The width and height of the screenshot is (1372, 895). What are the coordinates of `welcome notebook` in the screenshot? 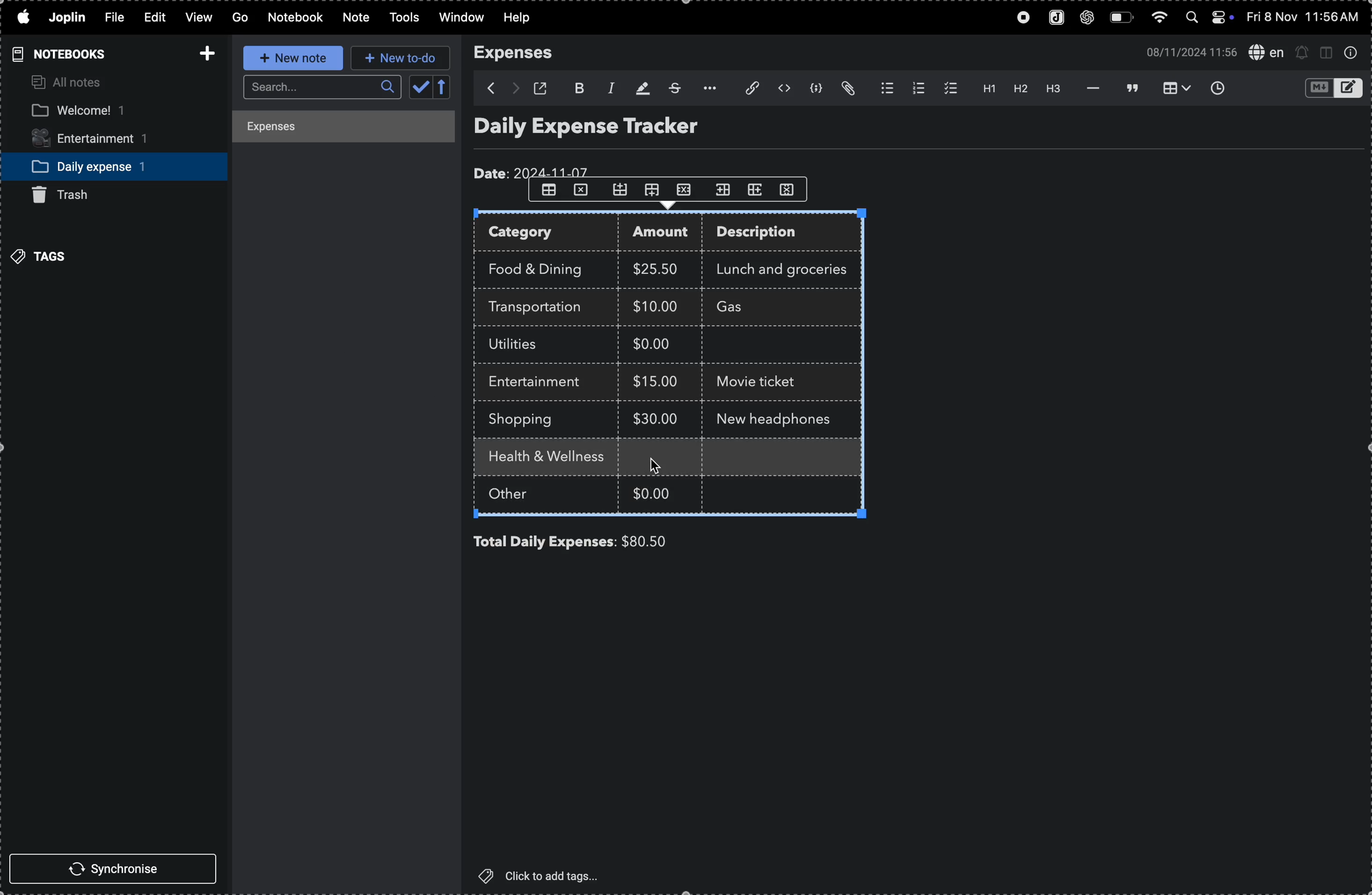 It's located at (101, 111).